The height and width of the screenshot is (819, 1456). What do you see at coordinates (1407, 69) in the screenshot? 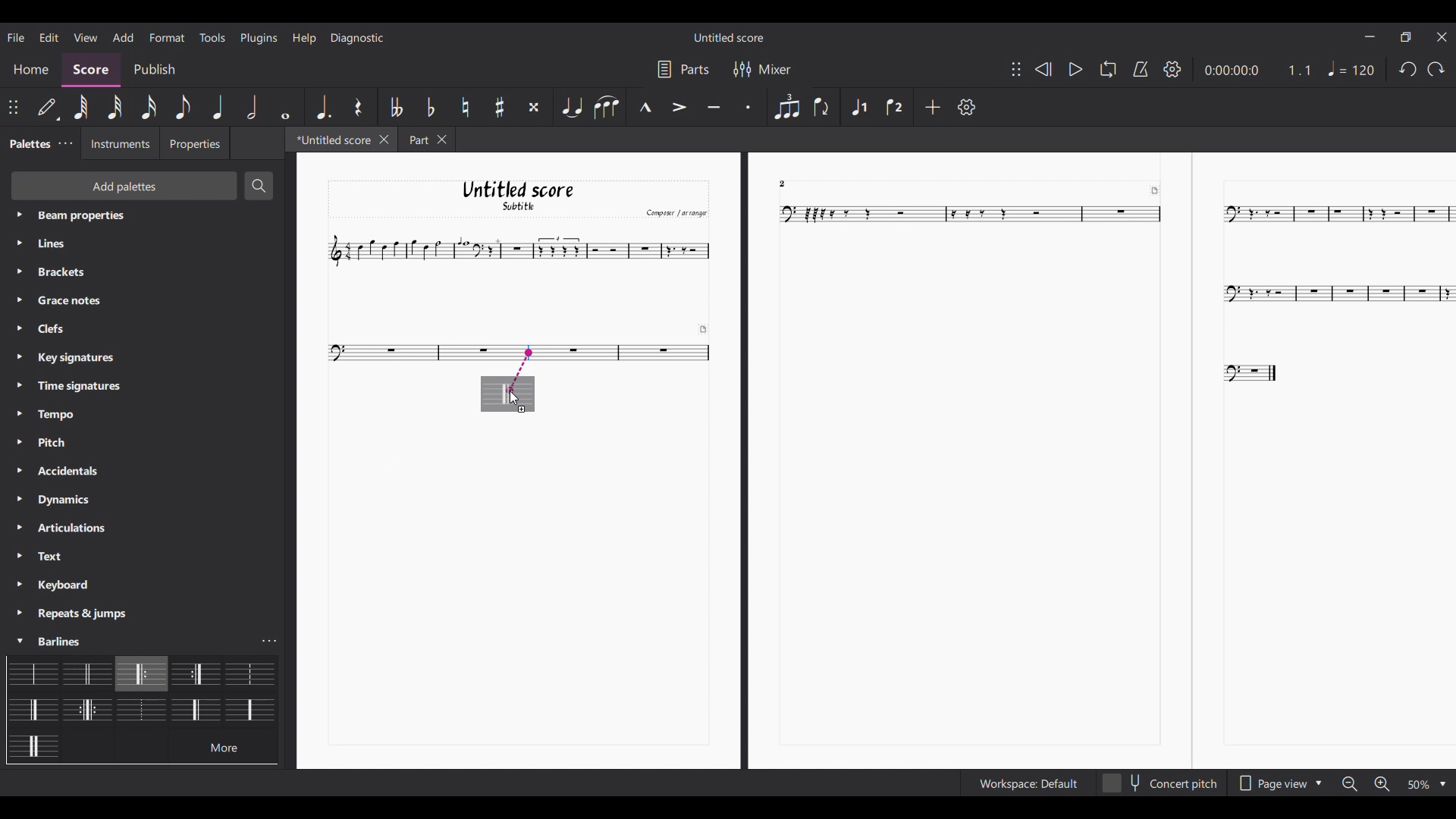
I see `Undo` at bounding box center [1407, 69].